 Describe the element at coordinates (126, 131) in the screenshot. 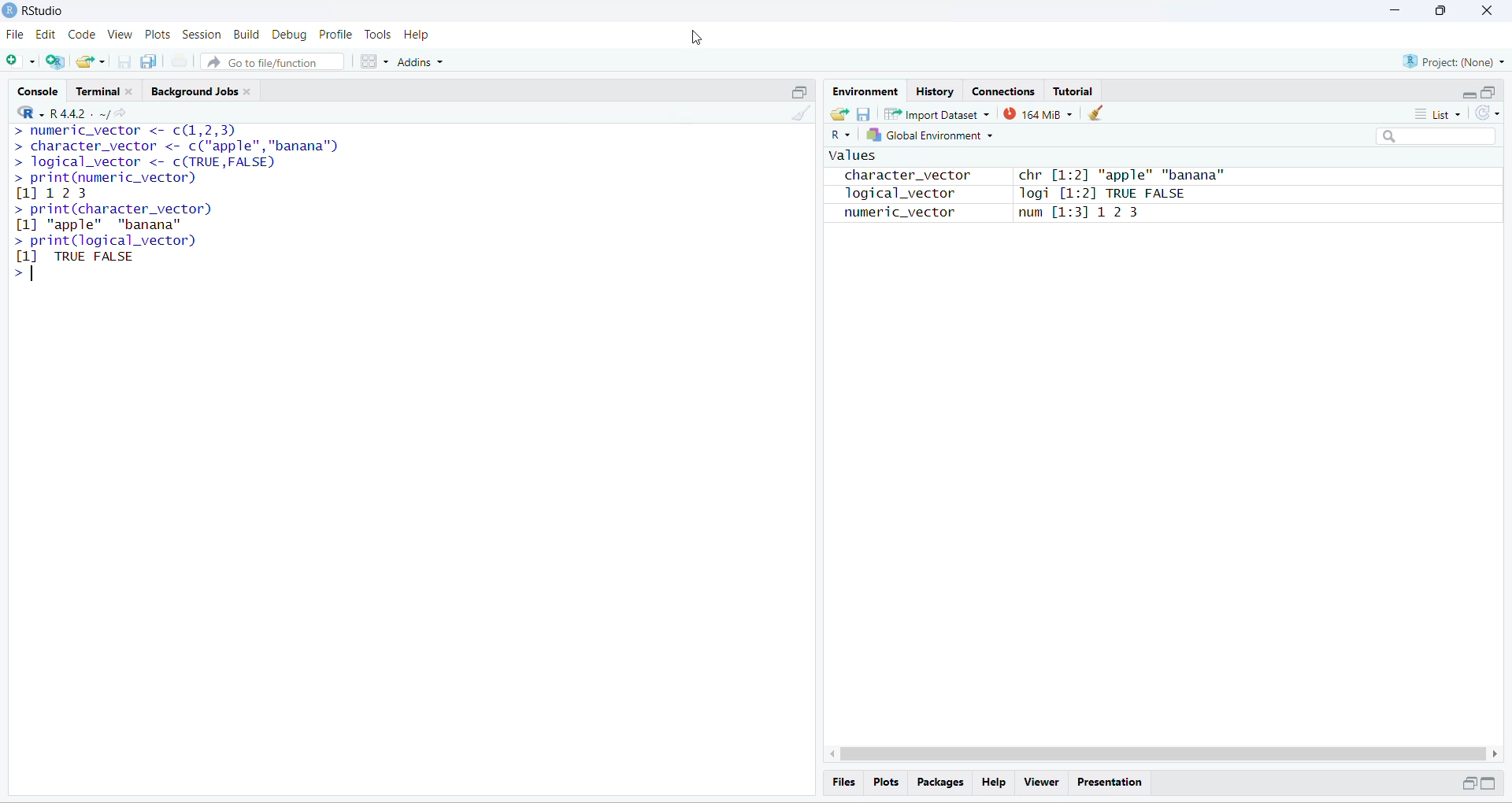

I see `numeric_vector <- c(1,2,3p` at that location.